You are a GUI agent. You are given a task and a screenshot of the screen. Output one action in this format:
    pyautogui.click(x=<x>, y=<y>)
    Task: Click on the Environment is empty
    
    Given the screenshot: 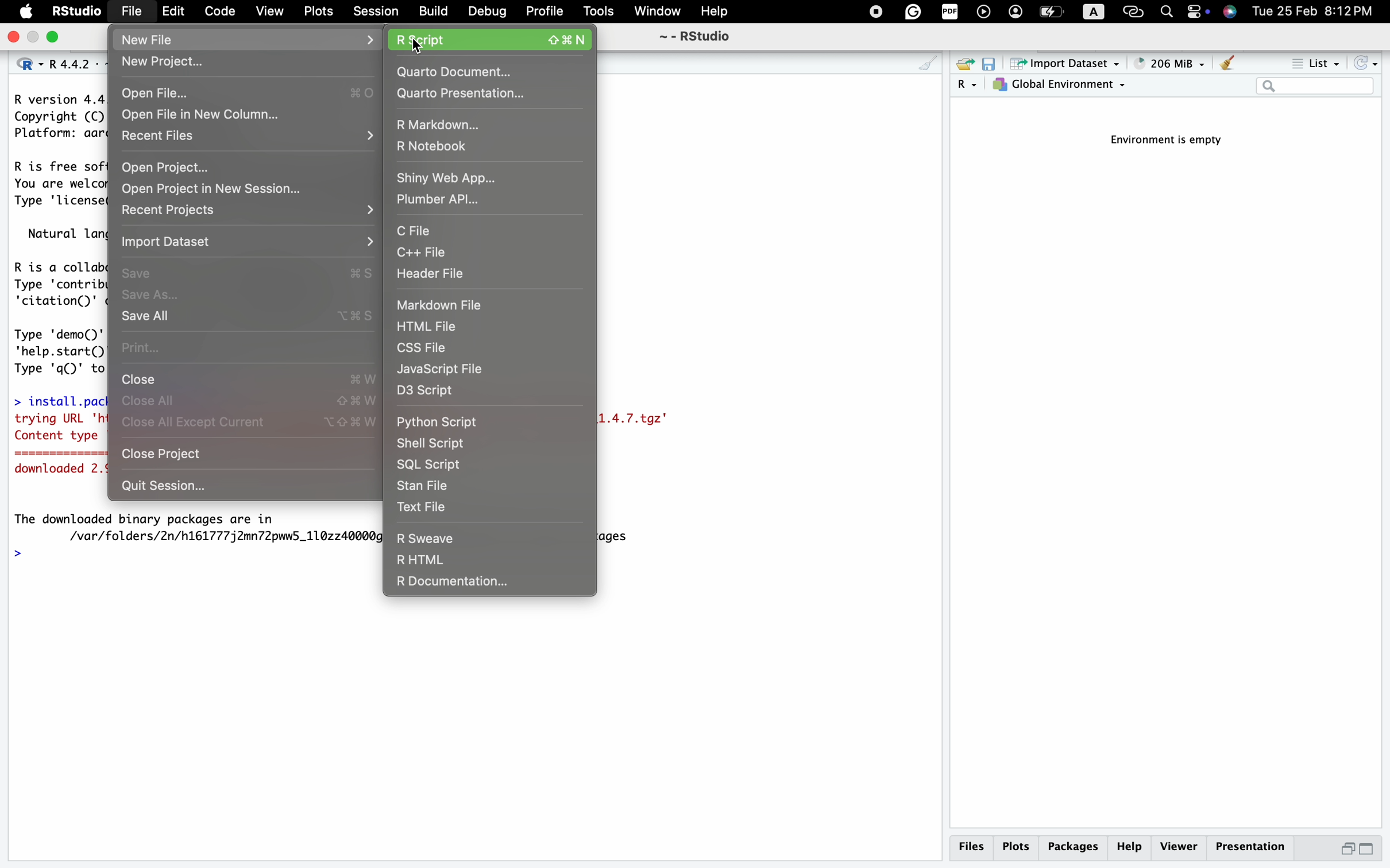 What is the action you would take?
    pyautogui.click(x=1173, y=141)
    